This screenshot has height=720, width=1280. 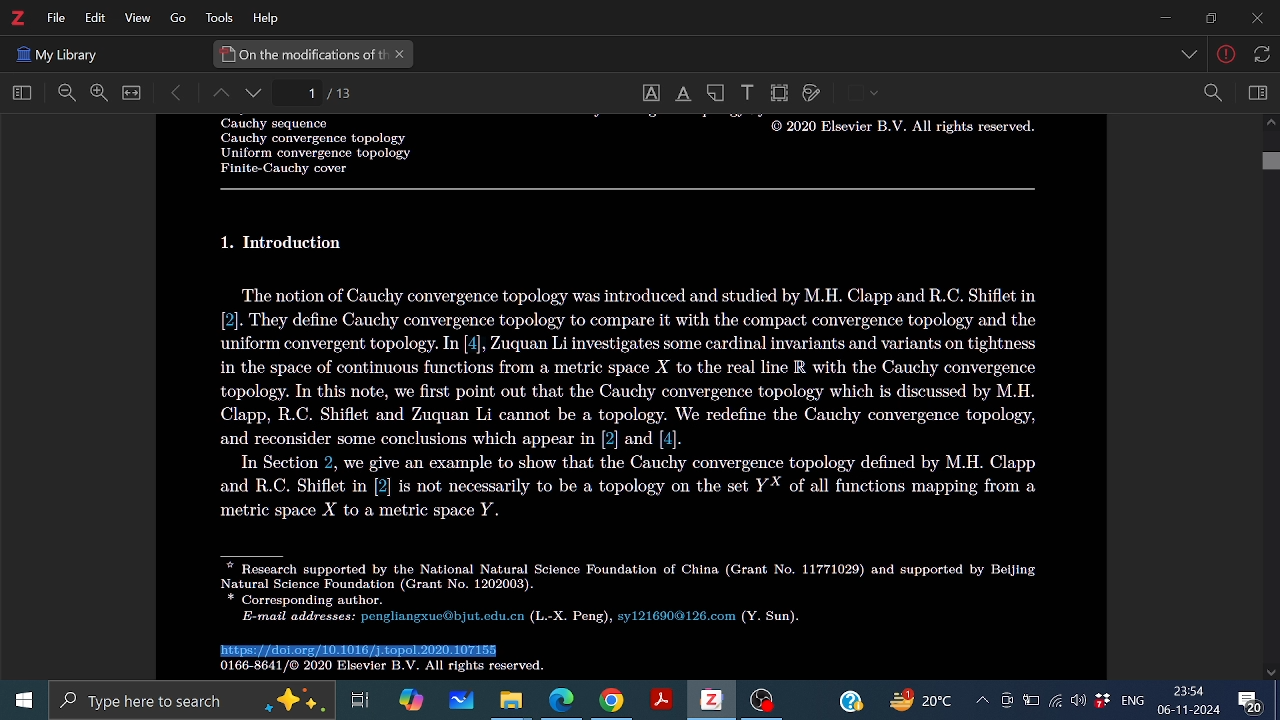 What do you see at coordinates (925, 701) in the screenshot?
I see `Weather` at bounding box center [925, 701].